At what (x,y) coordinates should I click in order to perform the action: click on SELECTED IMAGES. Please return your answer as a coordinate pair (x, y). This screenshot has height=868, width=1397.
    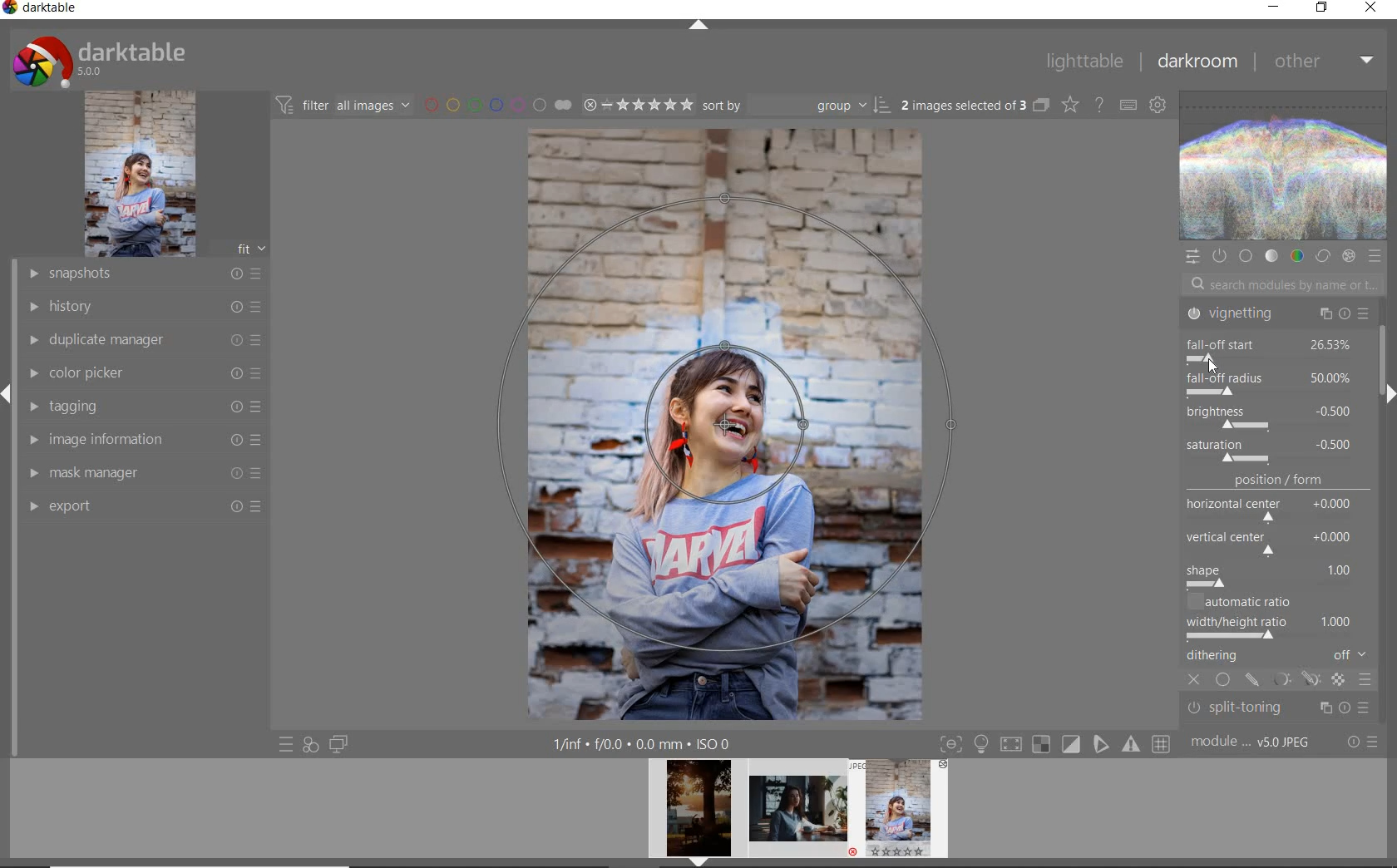
    Looking at the image, I should click on (964, 102).